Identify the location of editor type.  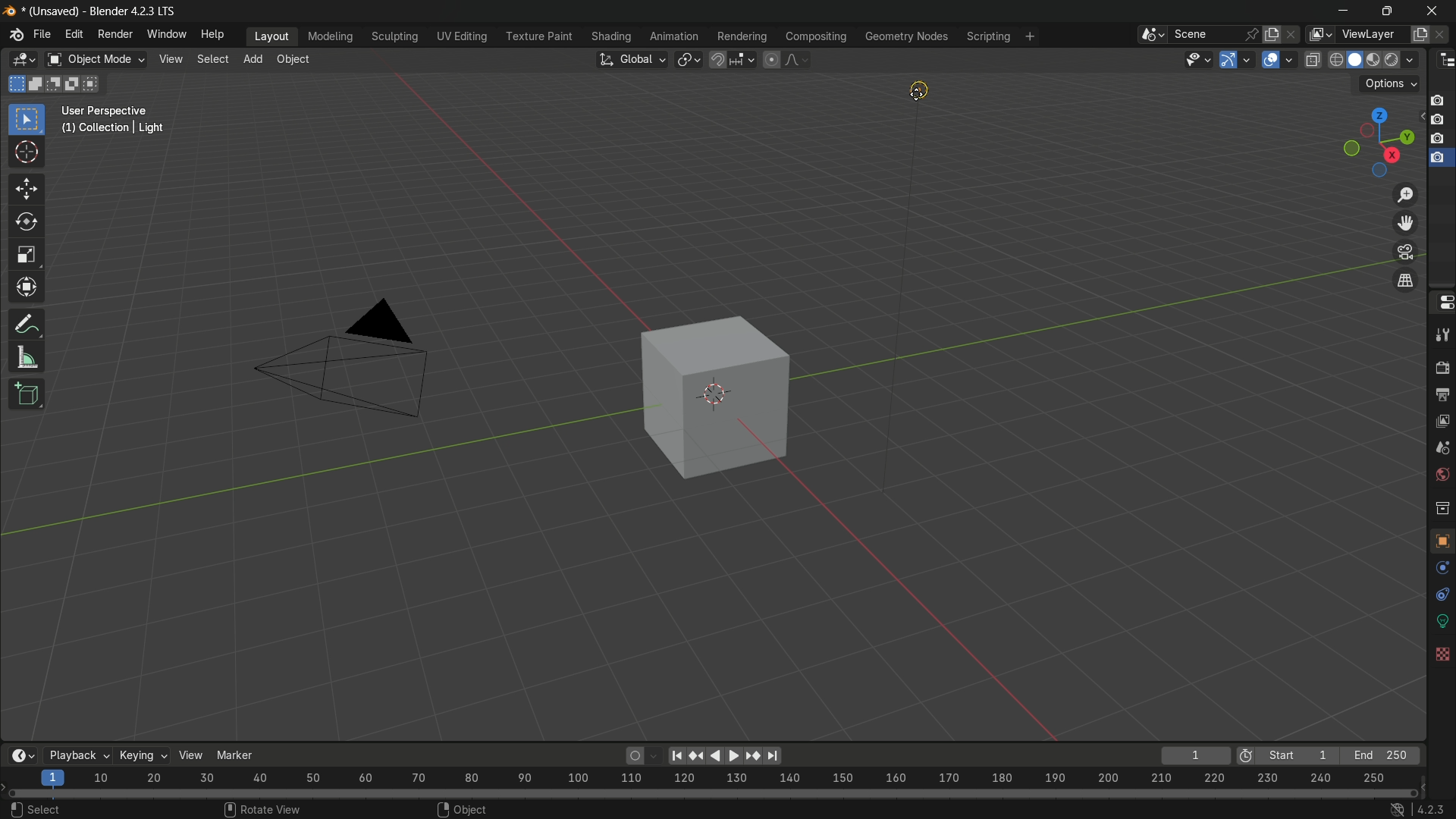
(24, 59).